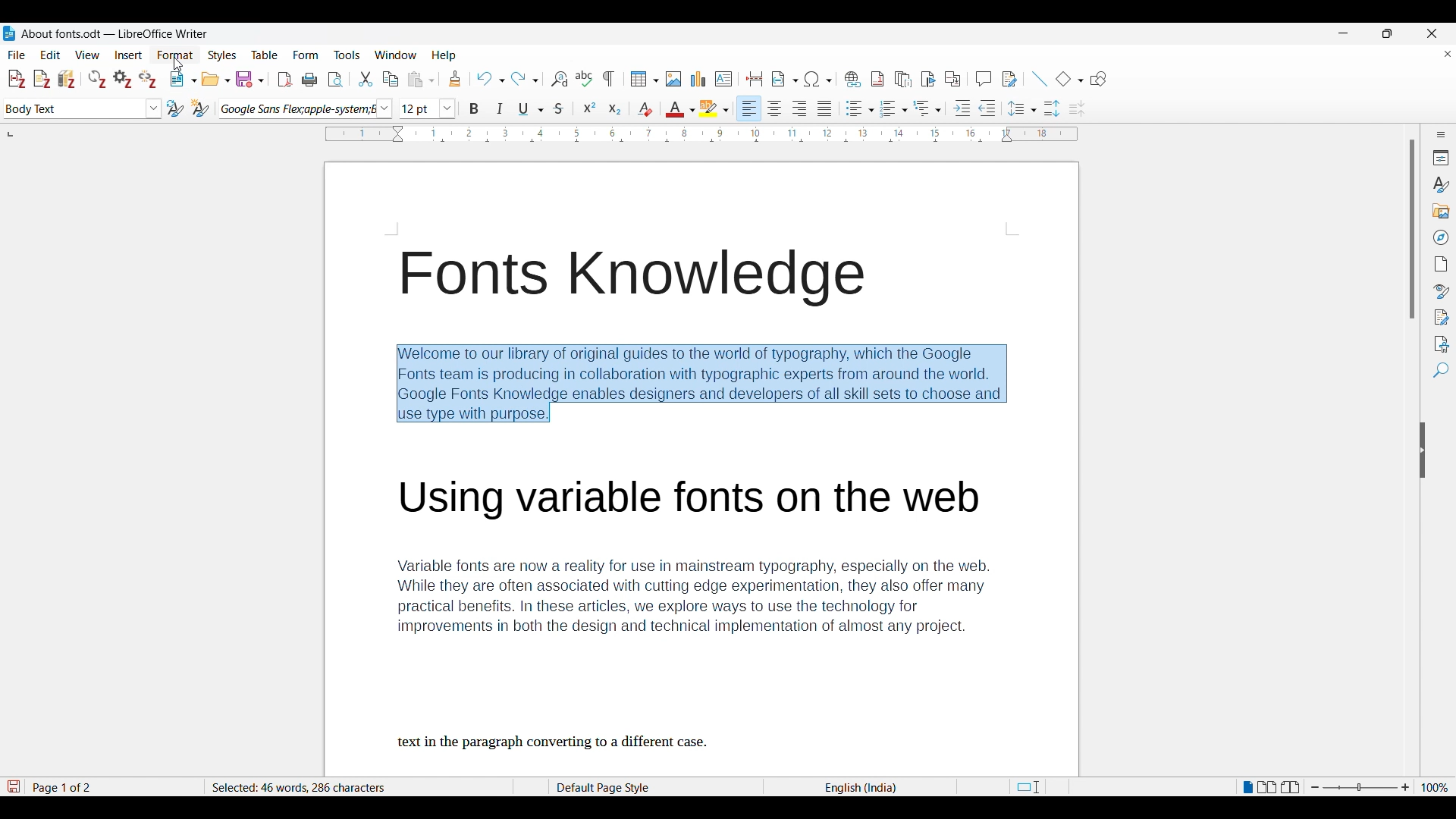  I want to click on Find and replace, so click(559, 79).